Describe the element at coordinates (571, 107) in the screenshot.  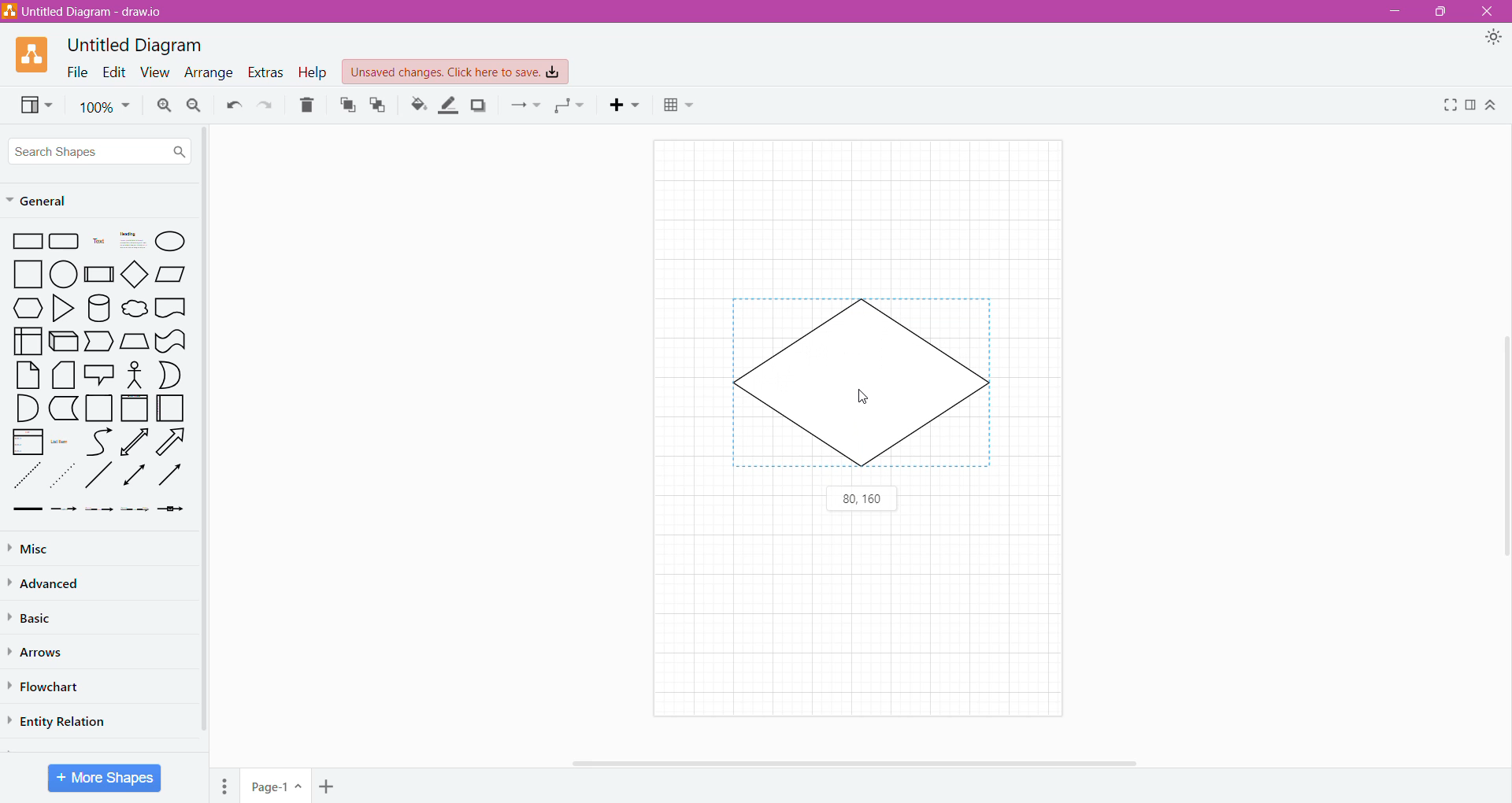
I see `Waypoints` at that location.